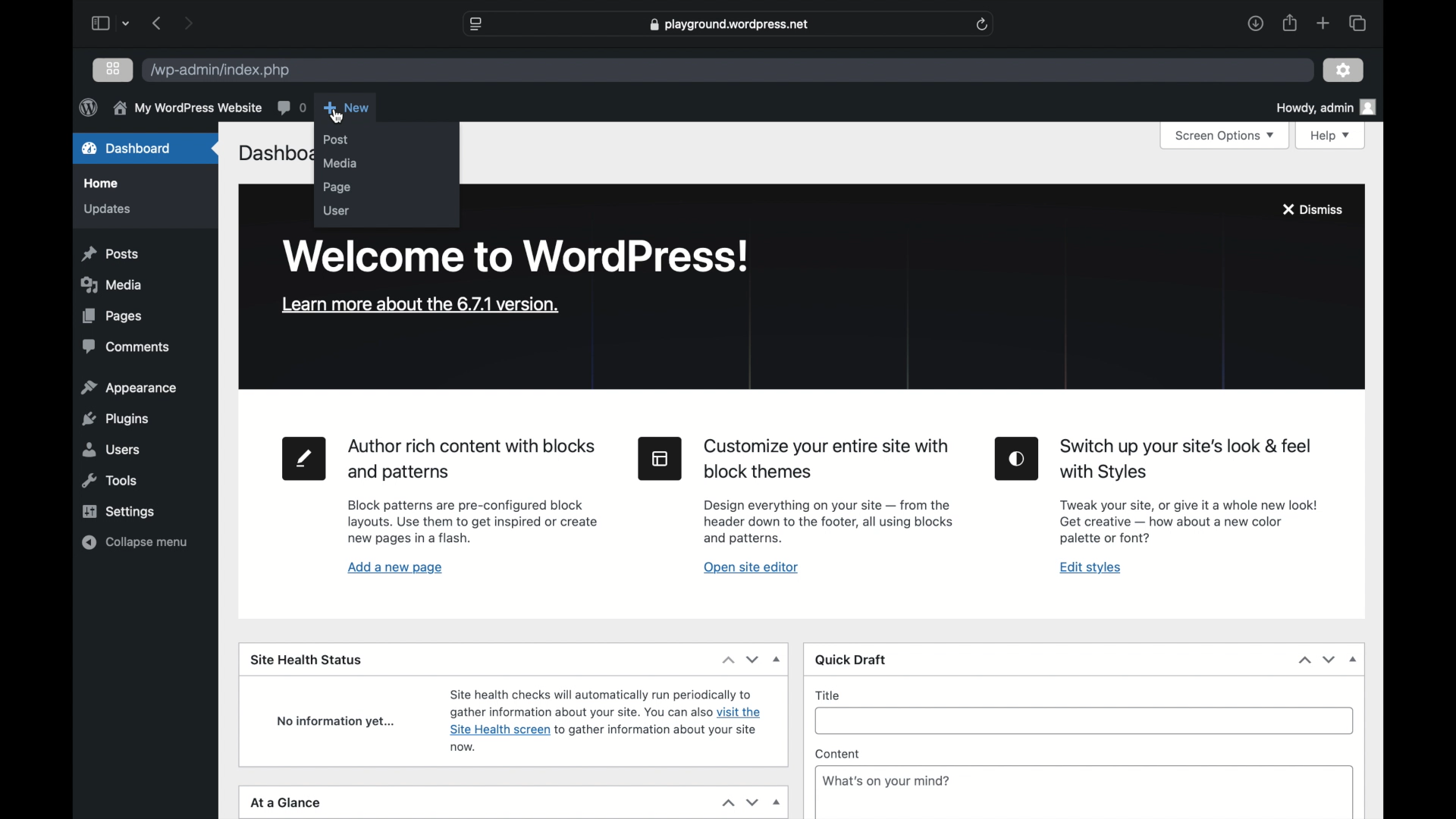 This screenshot has width=1456, height=819. What do you see at coordinates (347, 108) in the screenshot?
I see `new` at bounding box center [347, 108].